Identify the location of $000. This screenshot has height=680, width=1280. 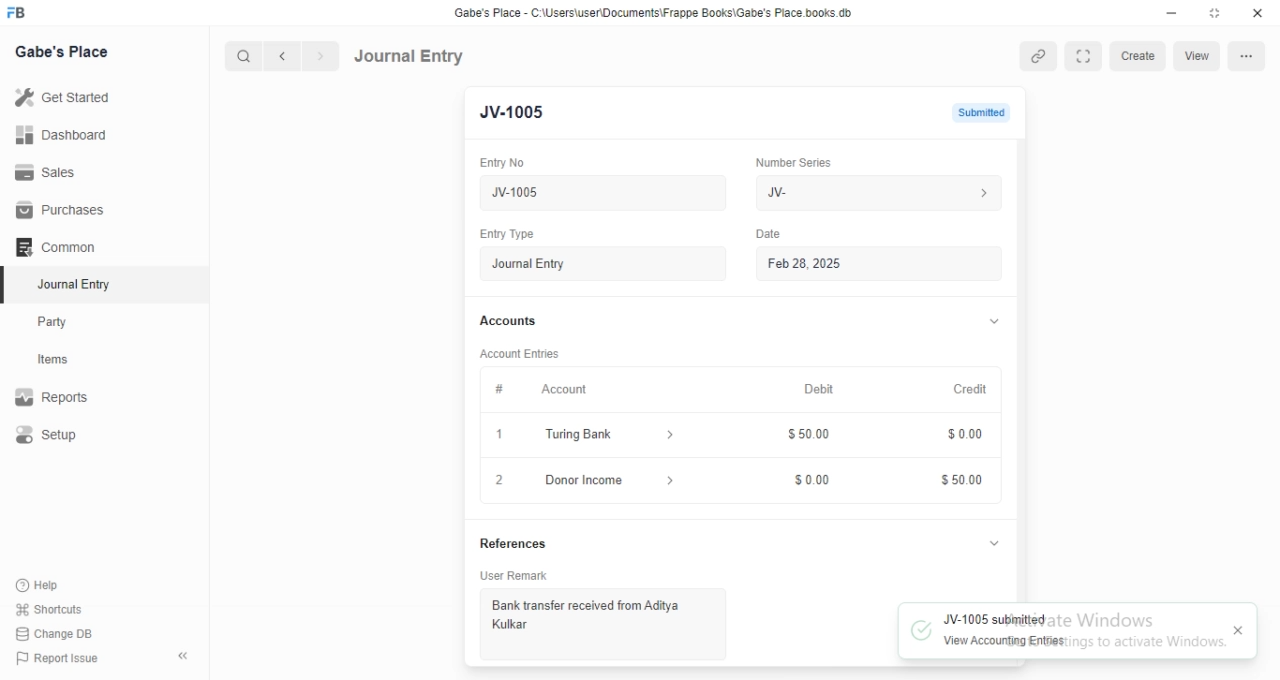
(967, 435).